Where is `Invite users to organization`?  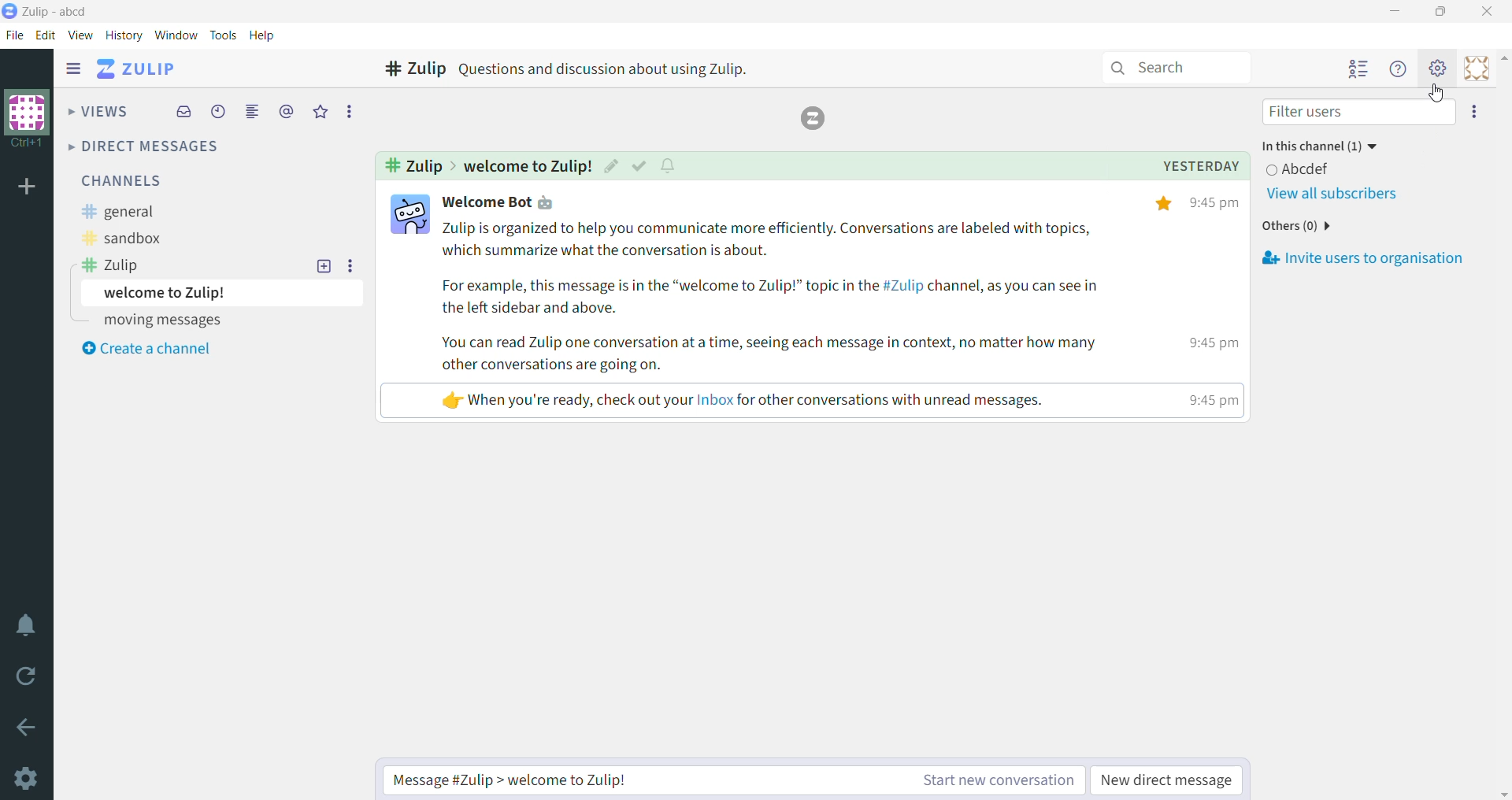
Invite users to organization is located at coordinates (1475, 112).